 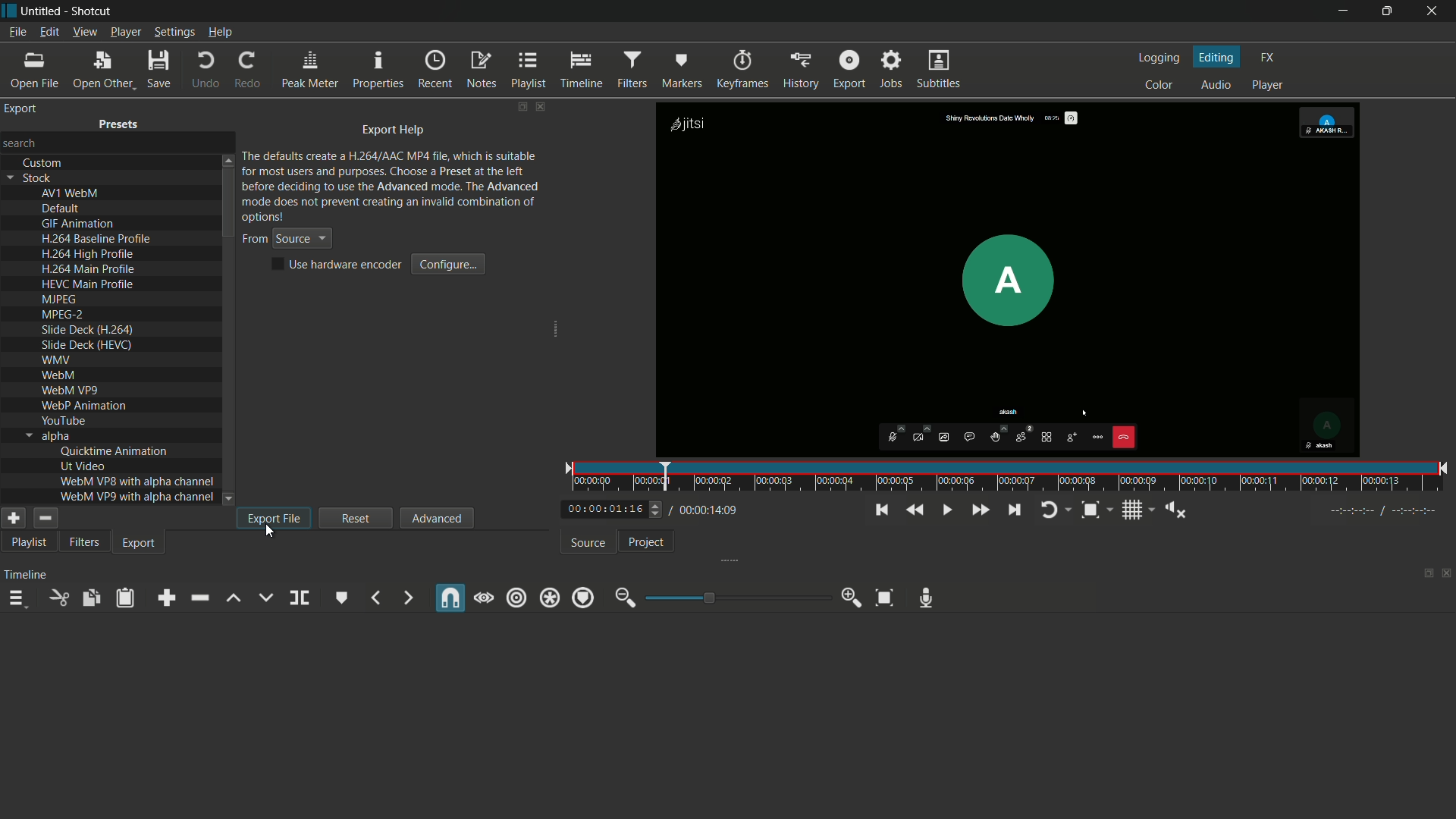 What do you see at coordinates (83, 30) in the screenshot?
I see `view menu` at bounding box center [83, 30].